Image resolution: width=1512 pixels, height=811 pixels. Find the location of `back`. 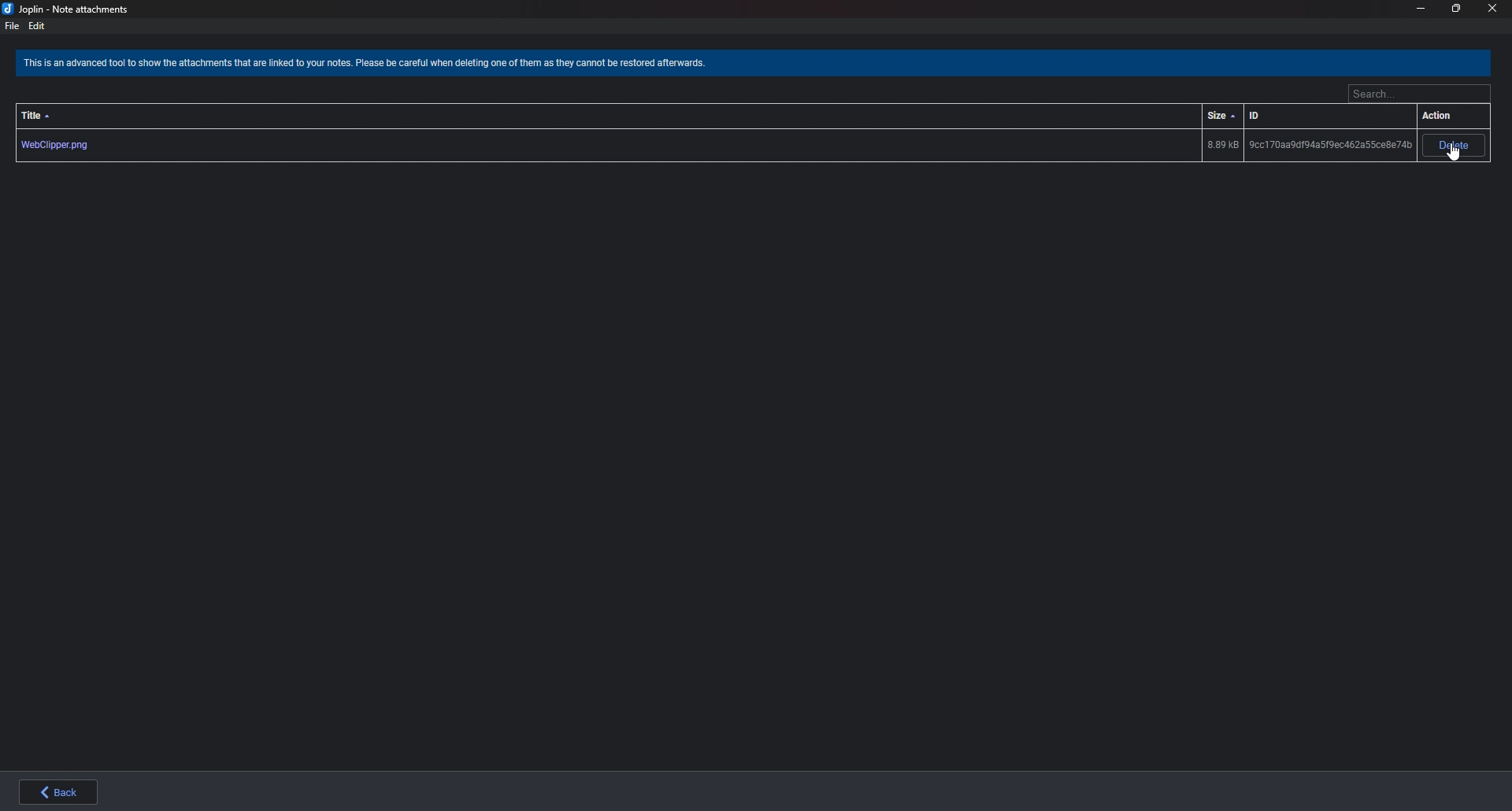

back is located at coordinates (54, 791).